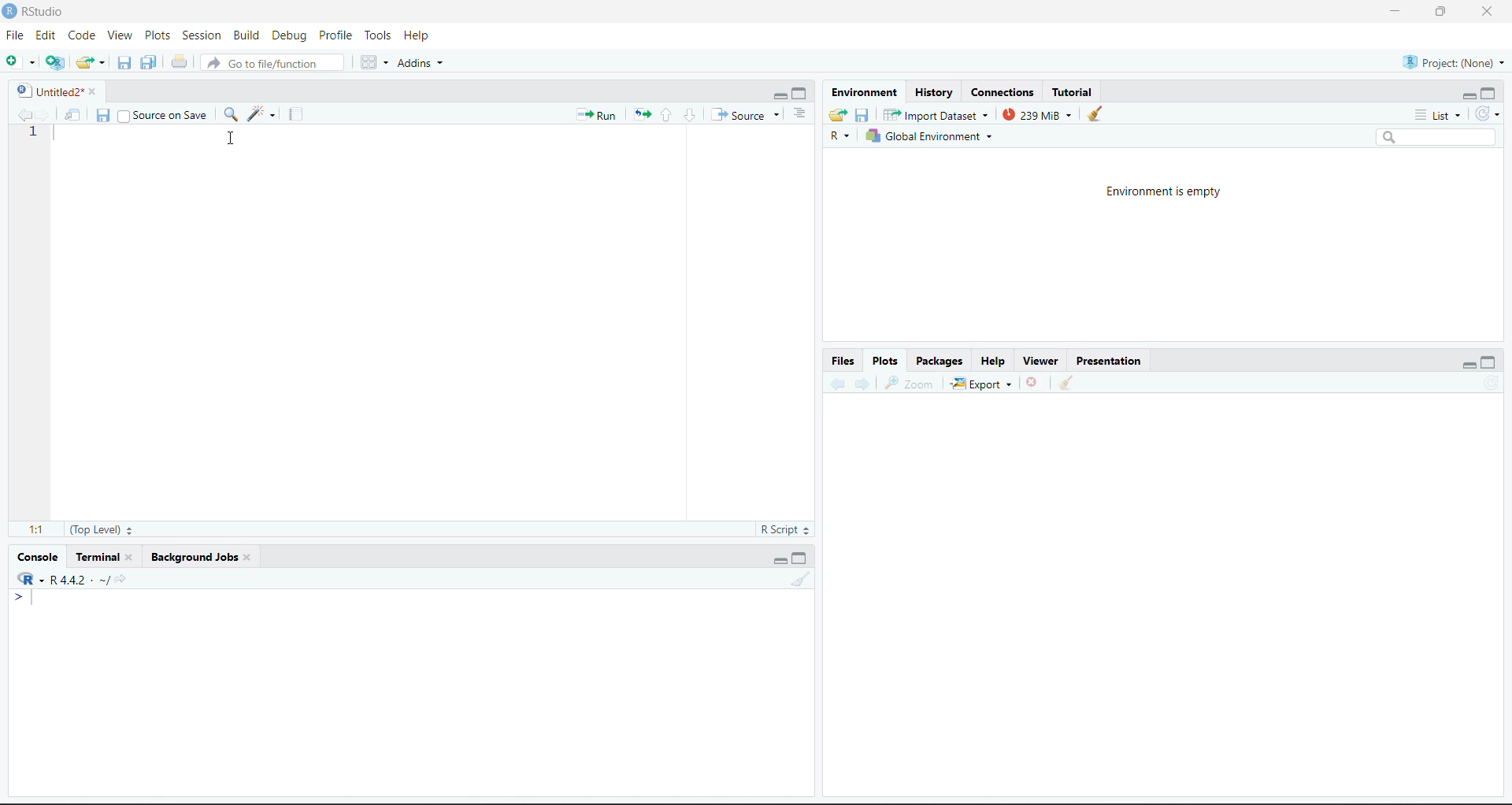 This screenshot has height=805, width=1512. What do you see at coordinates (195, 556) in the screenshot?
I see `Background Jobs` at bounding box center [195, 556].